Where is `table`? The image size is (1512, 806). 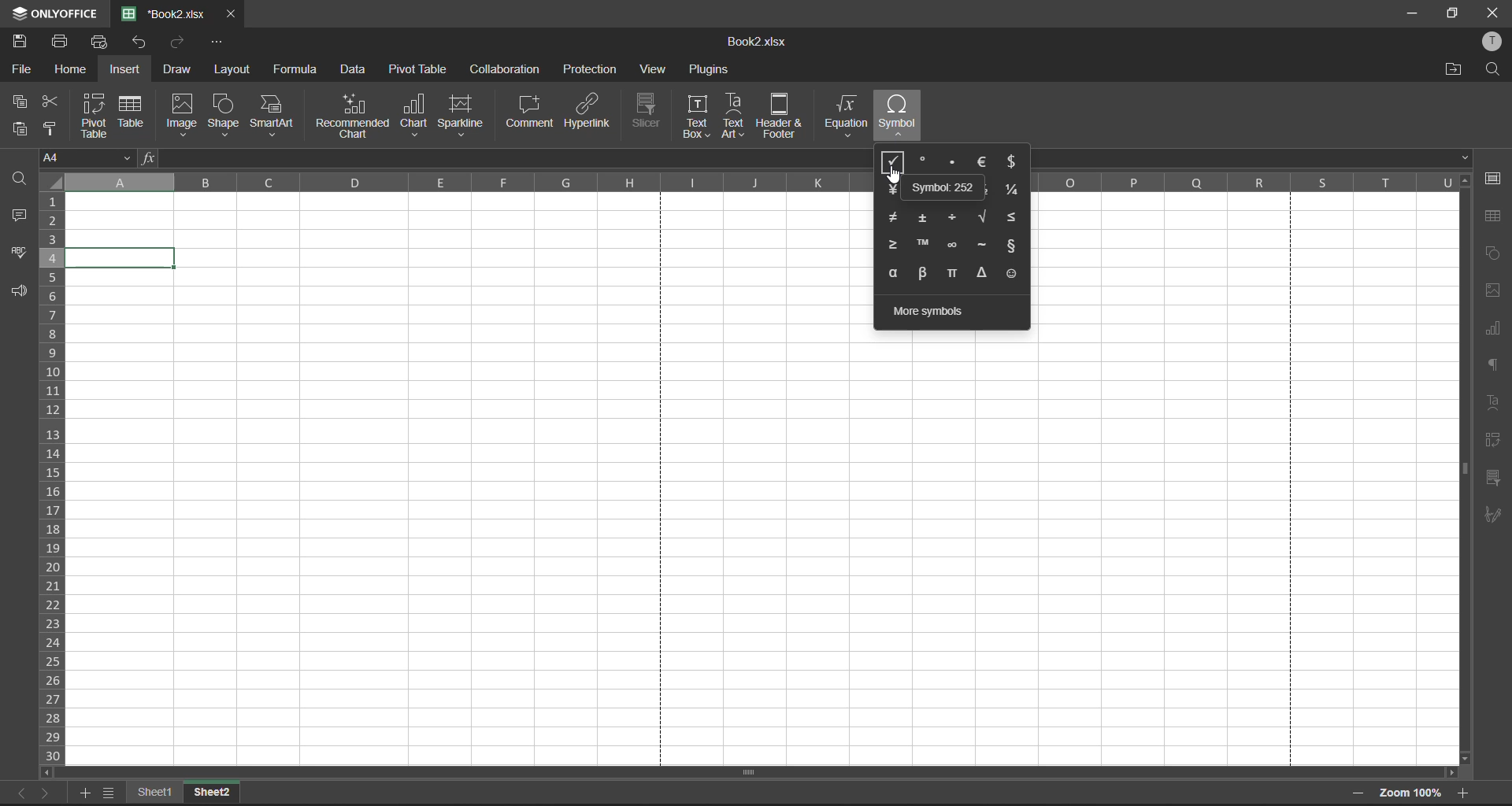
table is located at coordinates (135, 110).